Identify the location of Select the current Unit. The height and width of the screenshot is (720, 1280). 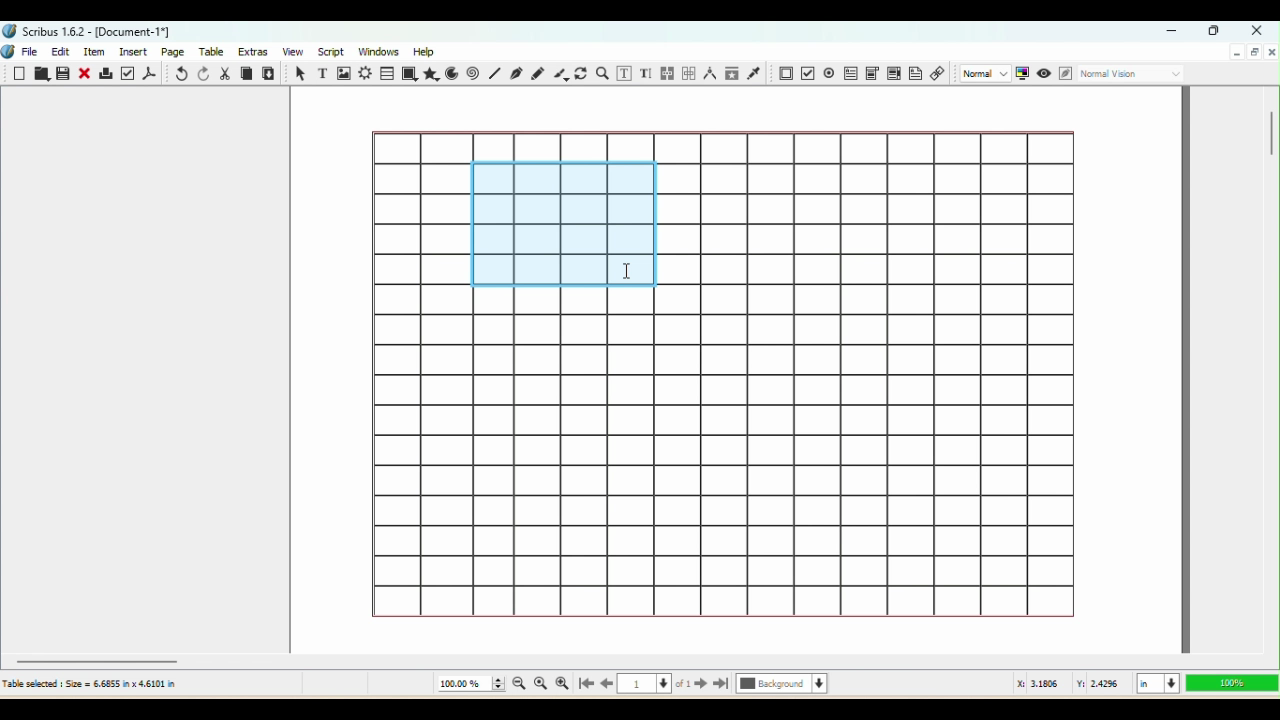
(1156, 684).